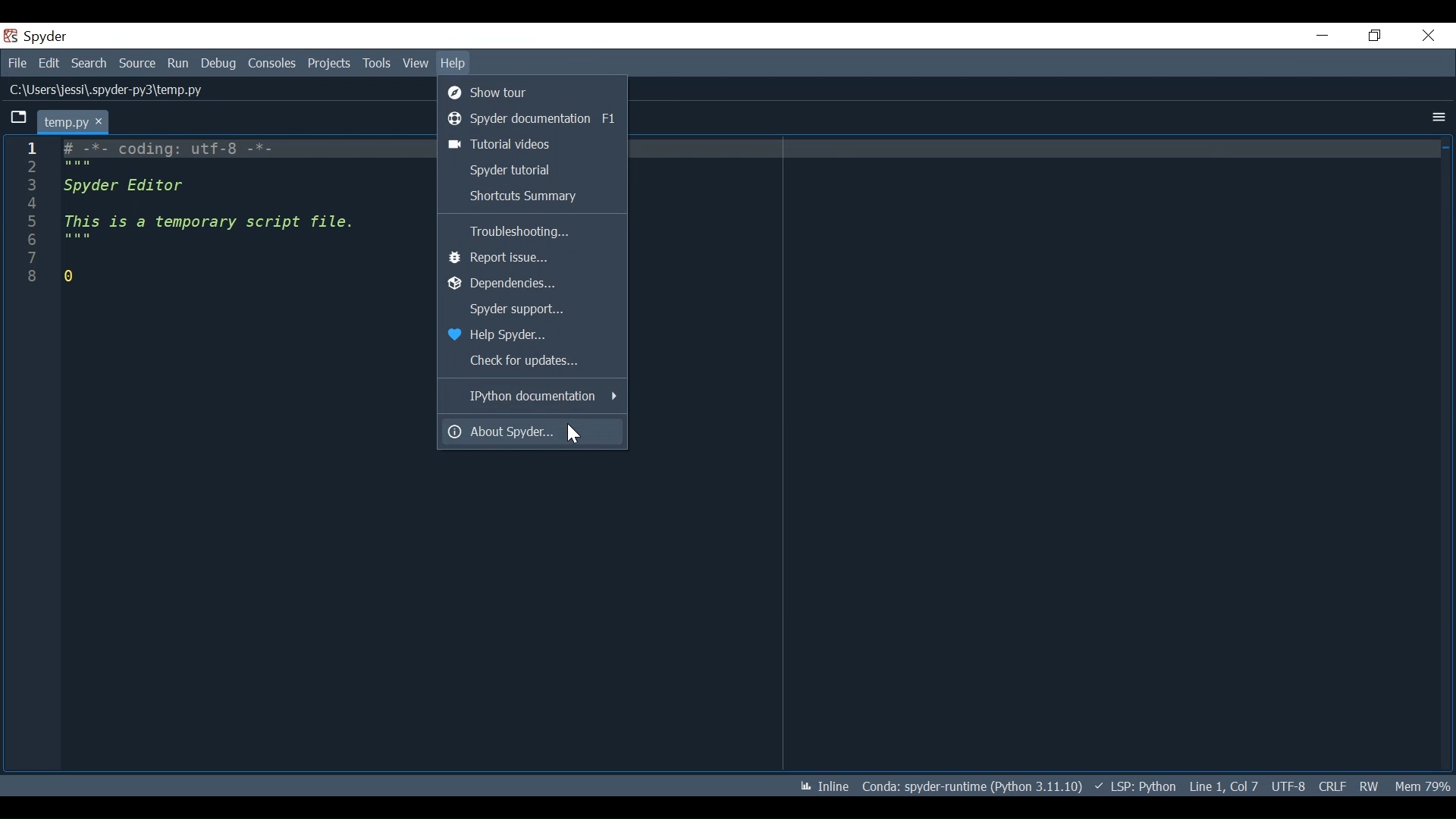 This screenshot has height=819, width=1456. I want to click on Projects, so click(329, 64).